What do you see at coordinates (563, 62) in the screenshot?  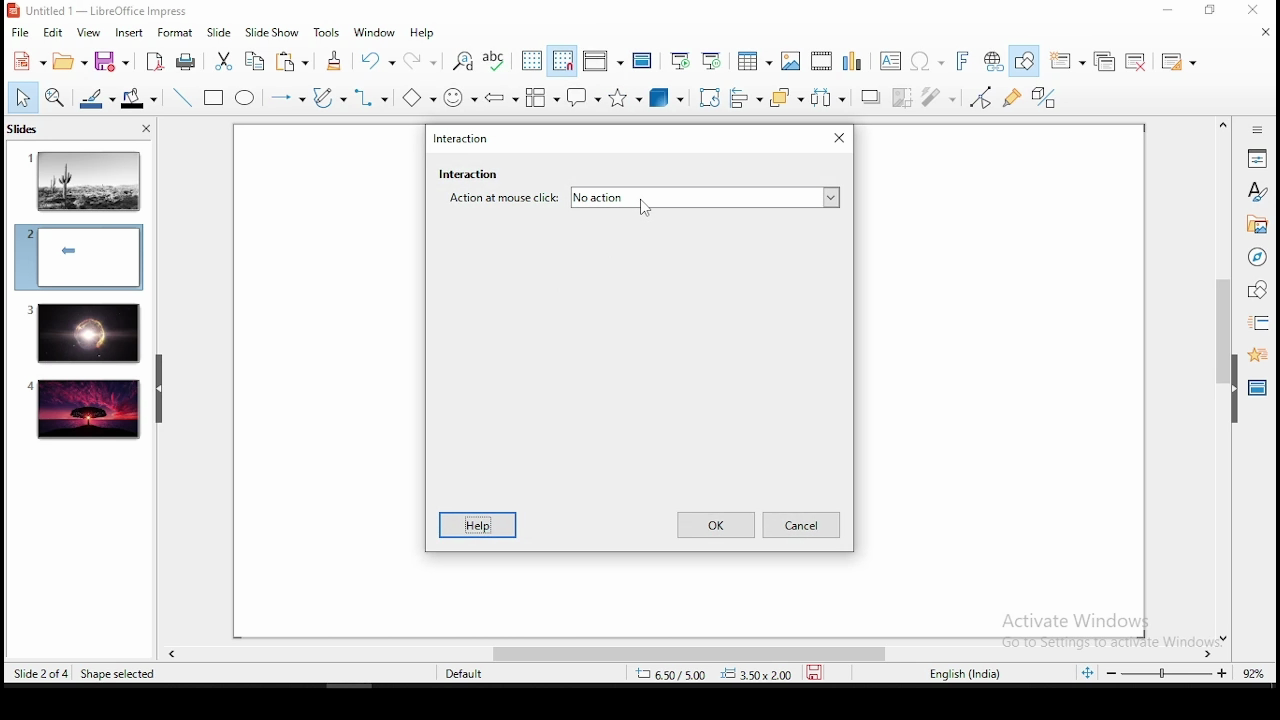 I see `snap to grid` at bounding box center [563, 62].